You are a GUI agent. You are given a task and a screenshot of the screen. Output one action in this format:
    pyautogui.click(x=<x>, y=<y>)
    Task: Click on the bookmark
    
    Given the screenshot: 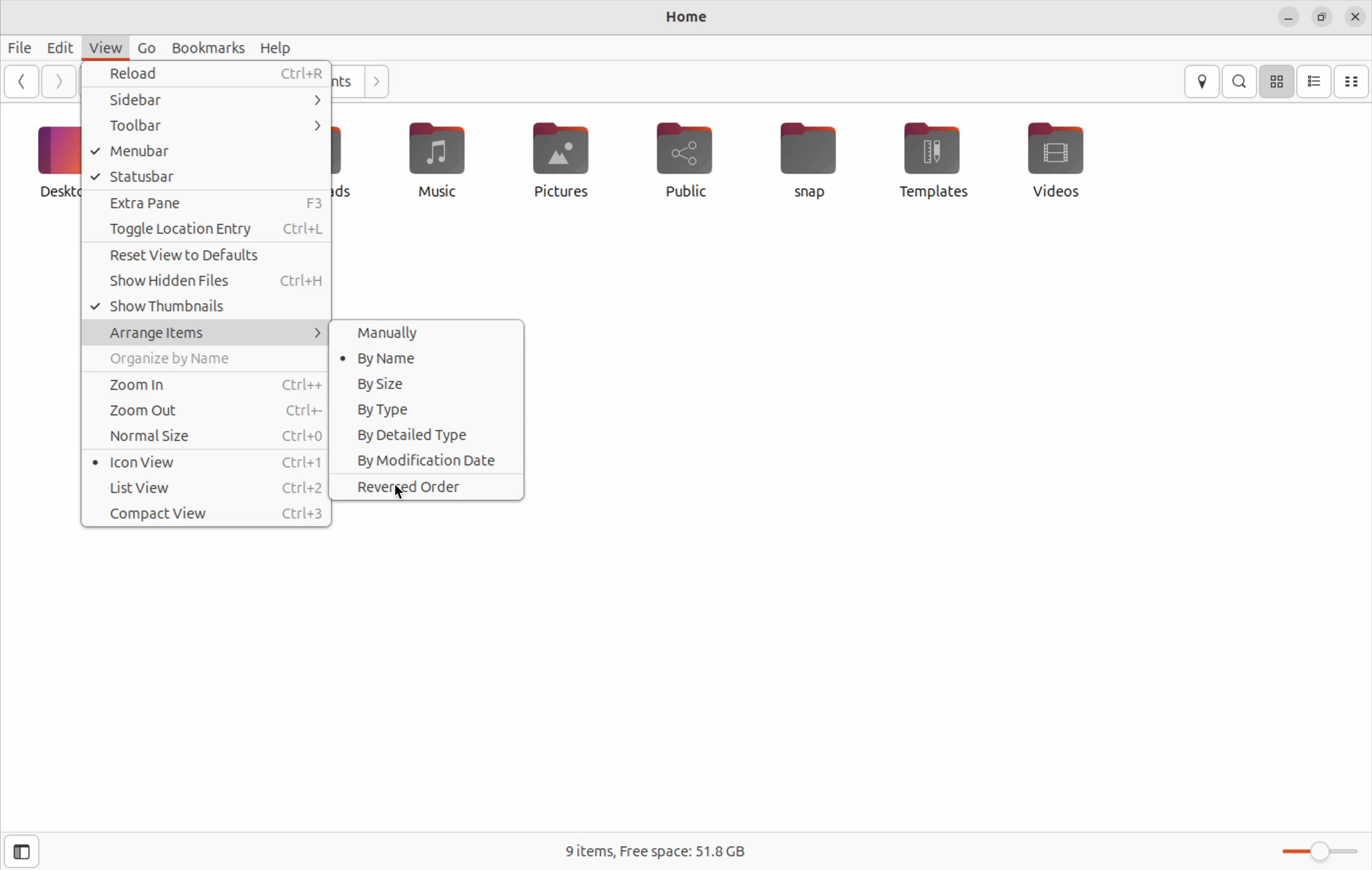 What is the action you would take?
    pyautogui.click(x=206, y=47)
    